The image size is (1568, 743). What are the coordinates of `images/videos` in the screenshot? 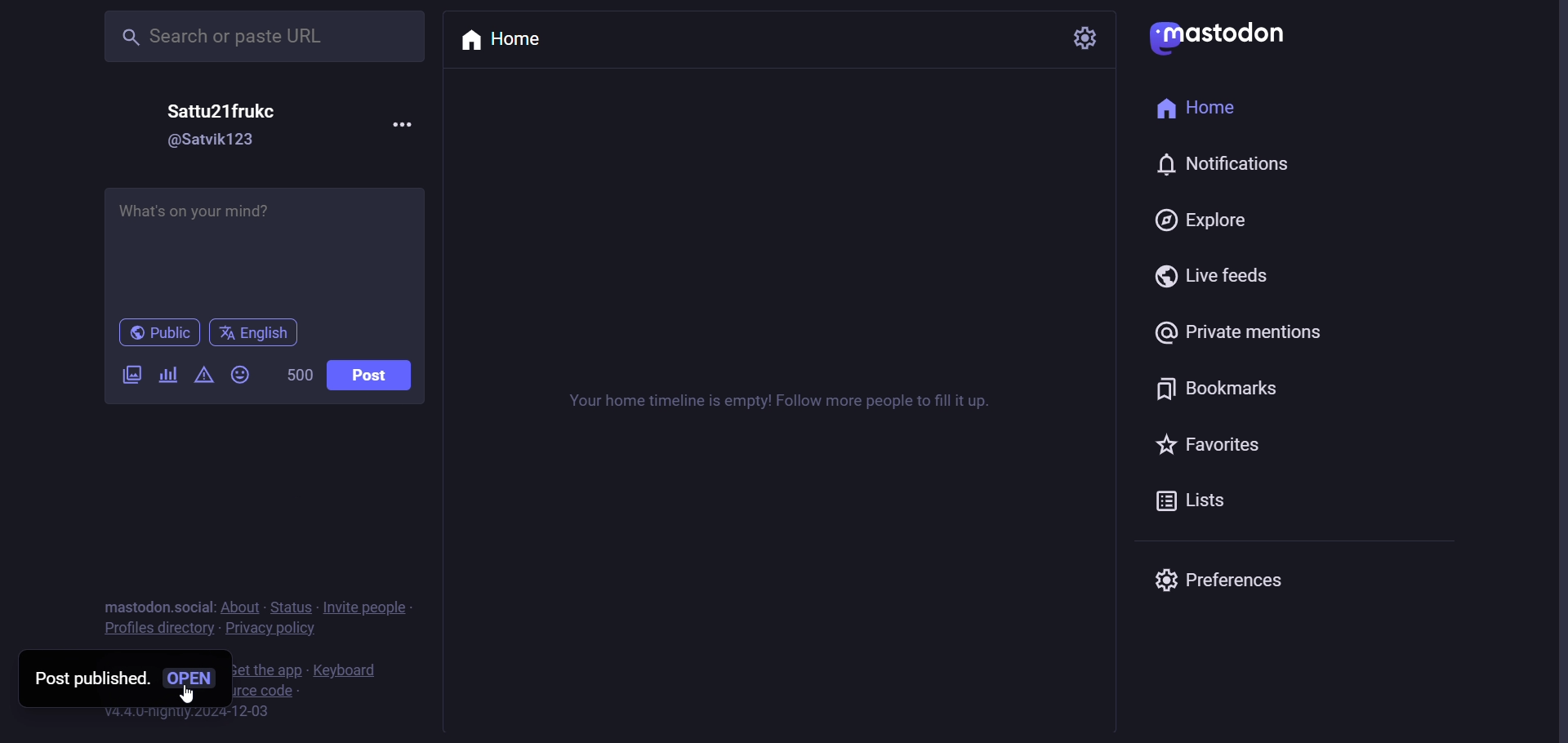 It's located at (131, 375).